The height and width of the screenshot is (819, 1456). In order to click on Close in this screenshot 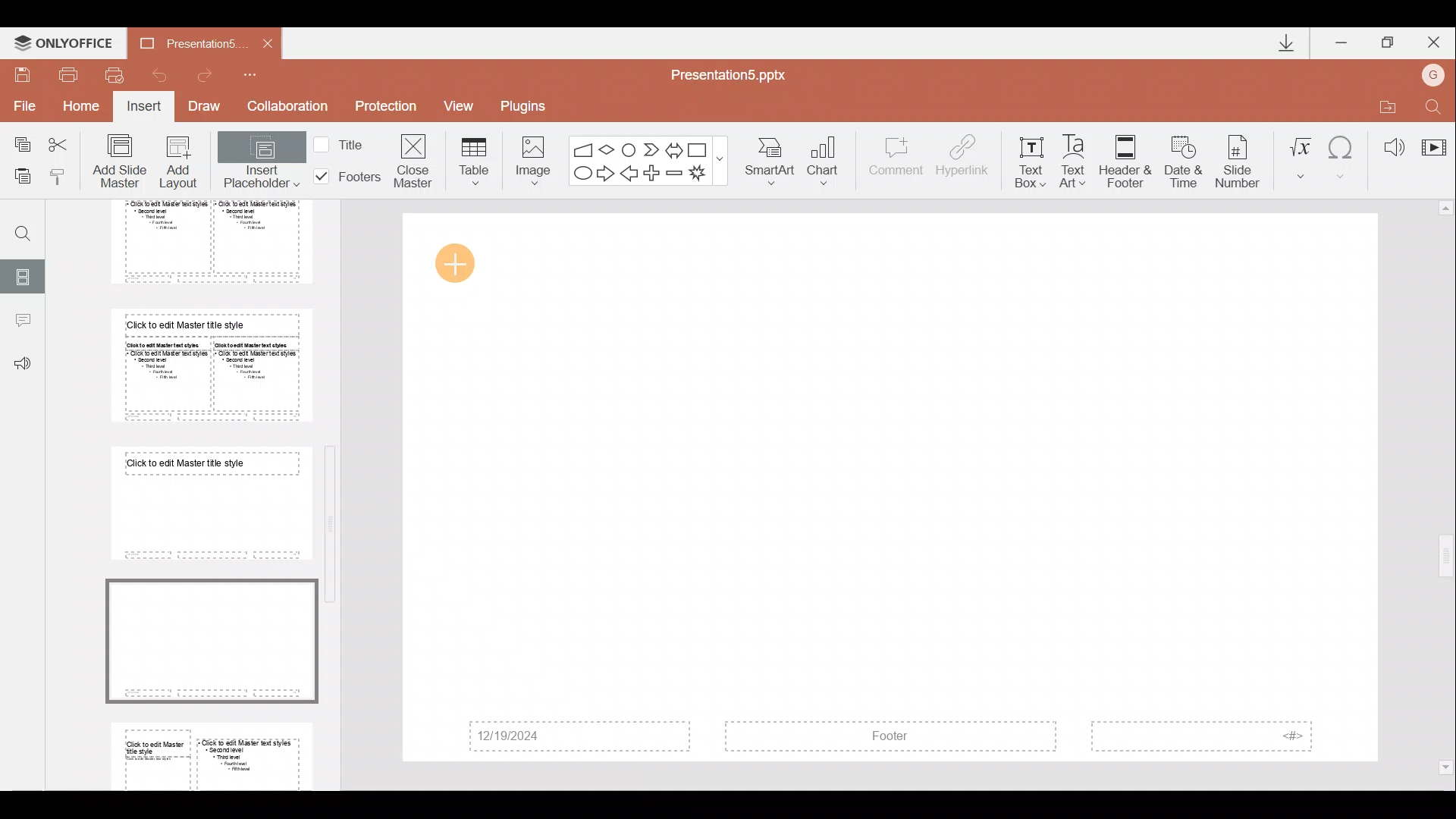, I will do `click(1436, 39)`.